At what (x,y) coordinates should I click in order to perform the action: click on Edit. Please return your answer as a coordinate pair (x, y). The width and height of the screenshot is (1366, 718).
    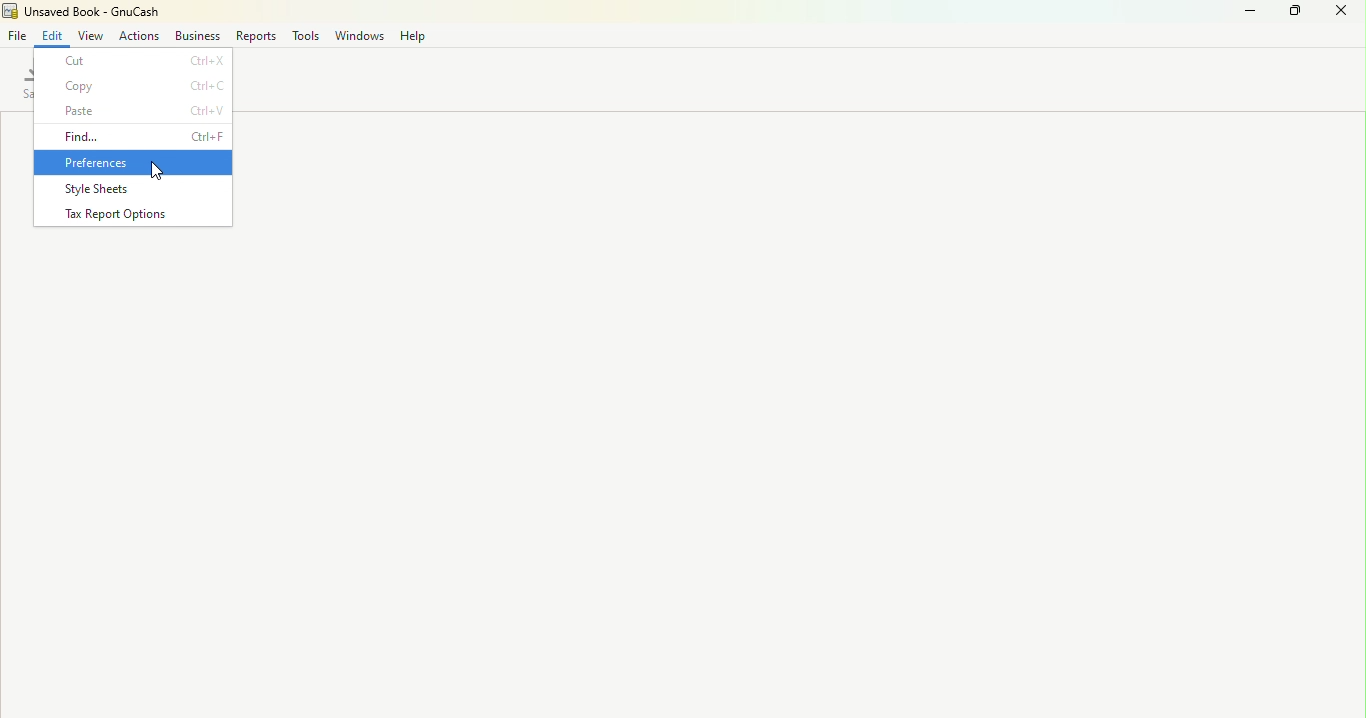
    Looking at the image, I should click on (52, 36).